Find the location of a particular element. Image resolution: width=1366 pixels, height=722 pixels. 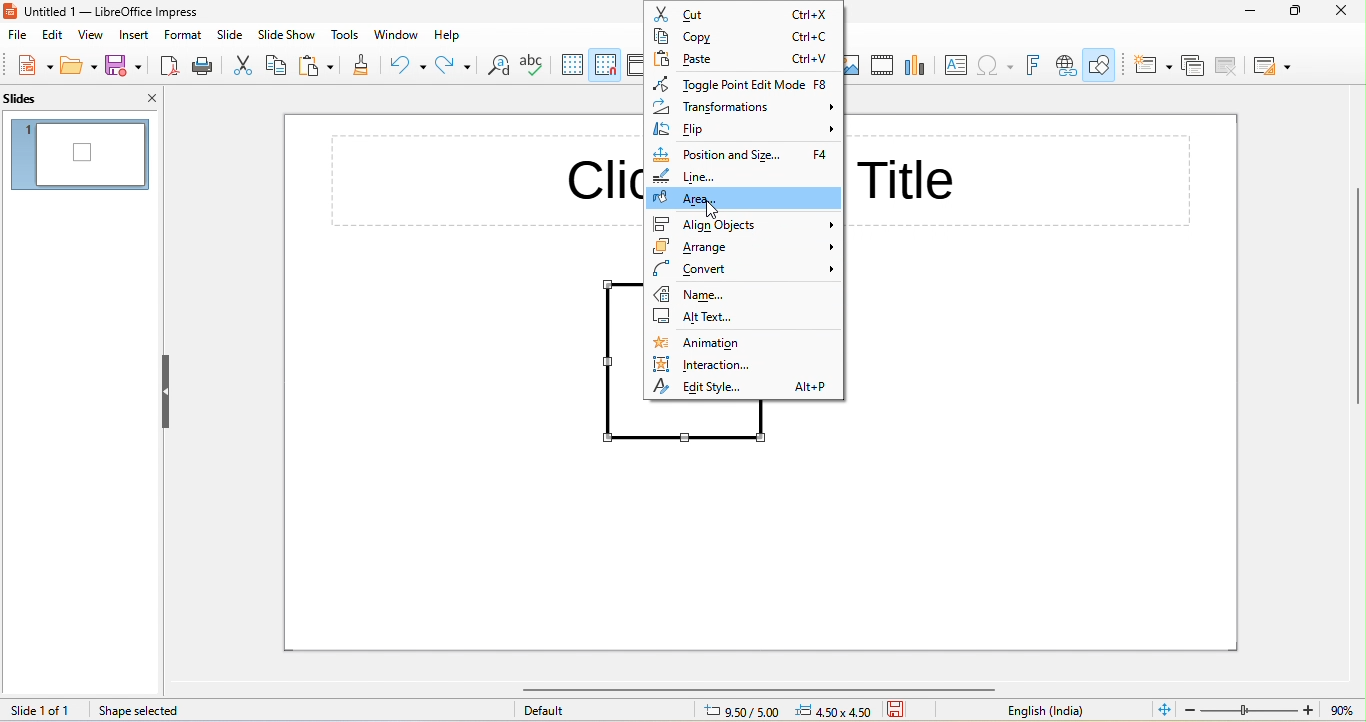

fontwork text is located at coordinates (1031, 65).